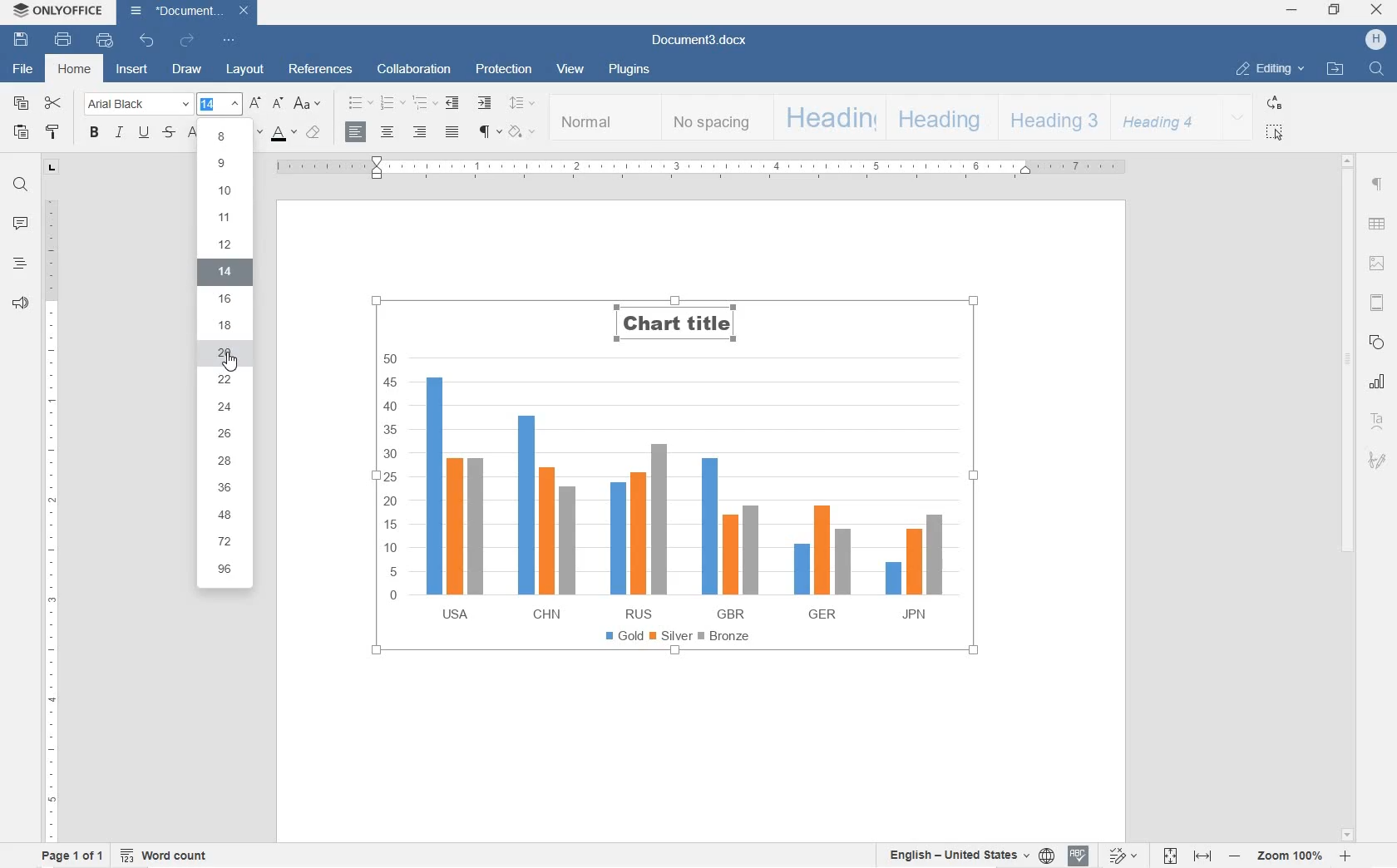 The width and height of the screenshot is (1397, 868). Describe the element at coordinates (188, 40) in the screenshot. I see `REDO` at that location.